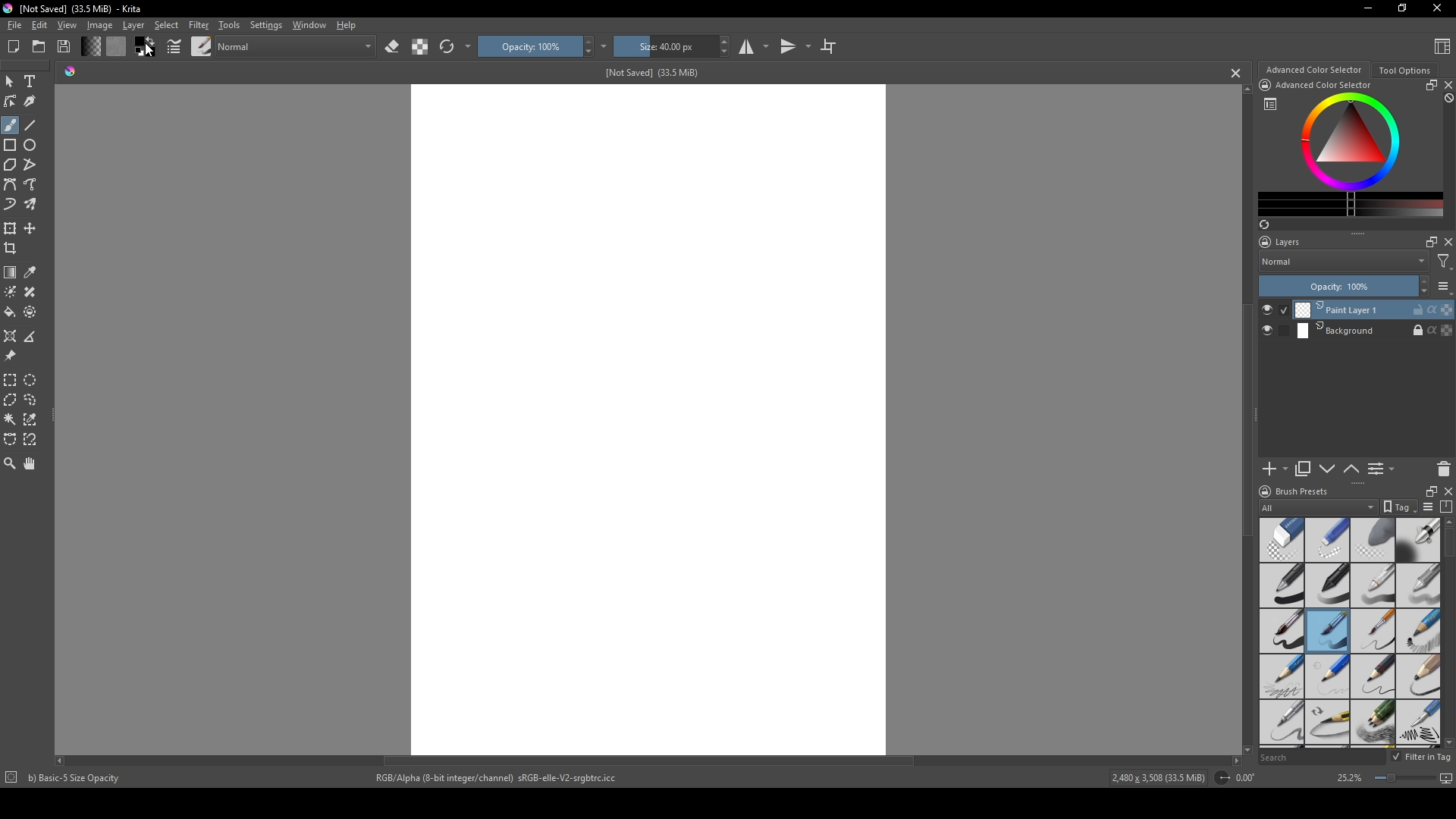  I want to click on pencil, so click(1419, 676).